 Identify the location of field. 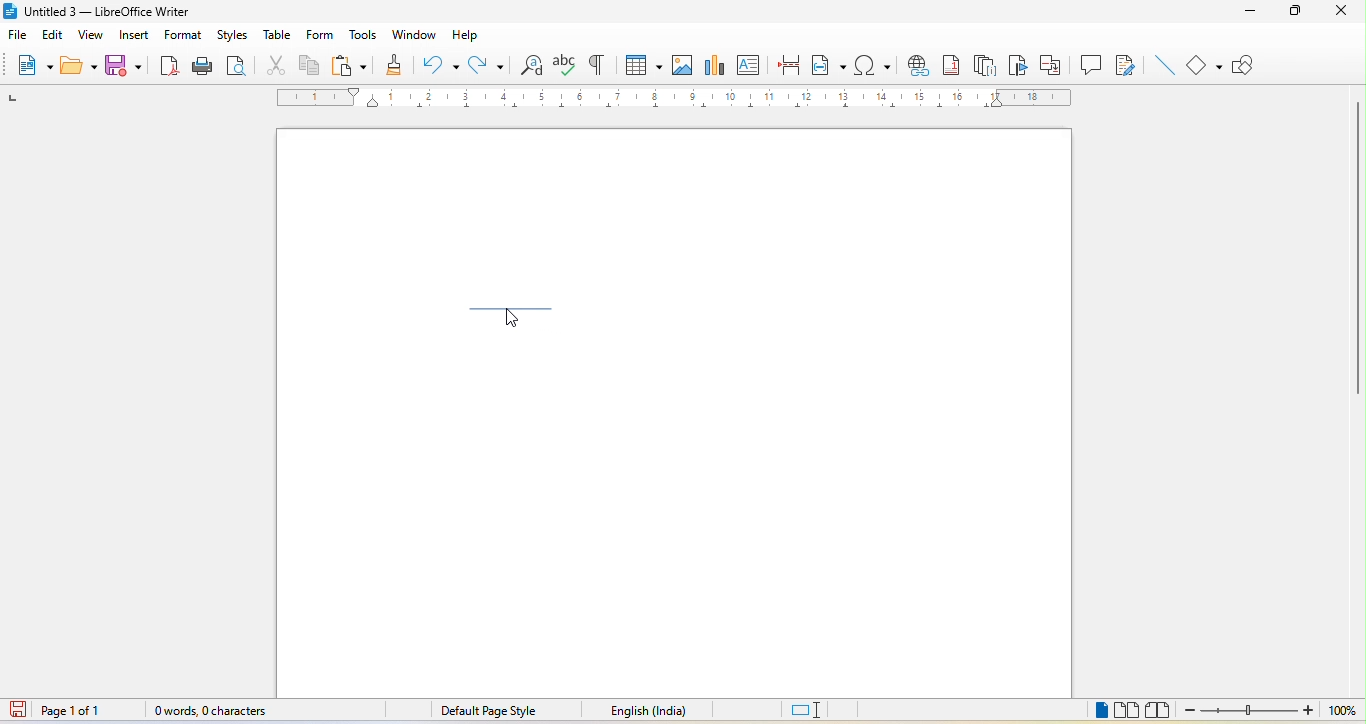
(829, 67).